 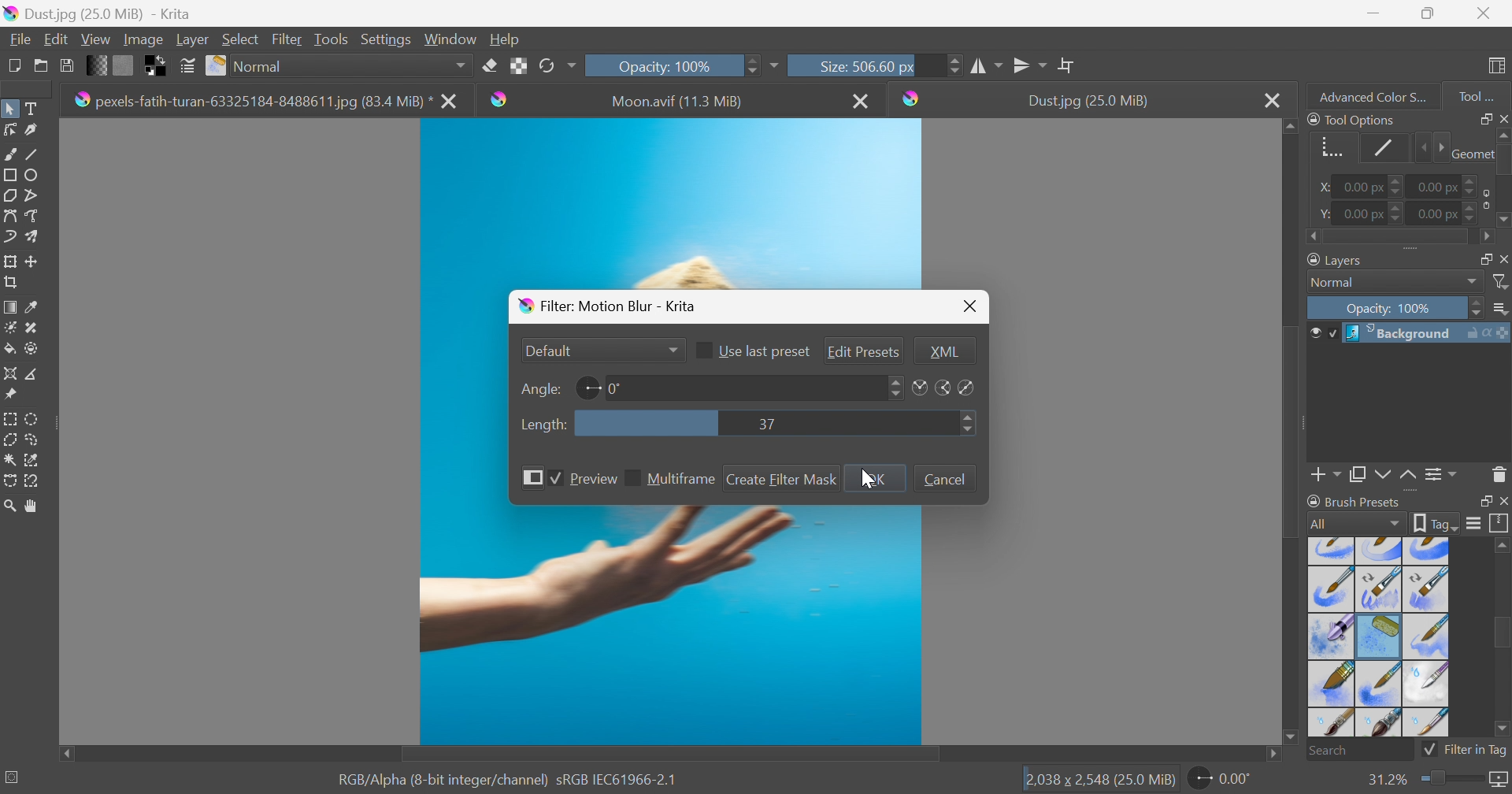 What do you see at coordinates (1326, 477) in the screenshot?
I see `Add Layer` at bounding box center [1326, 477].